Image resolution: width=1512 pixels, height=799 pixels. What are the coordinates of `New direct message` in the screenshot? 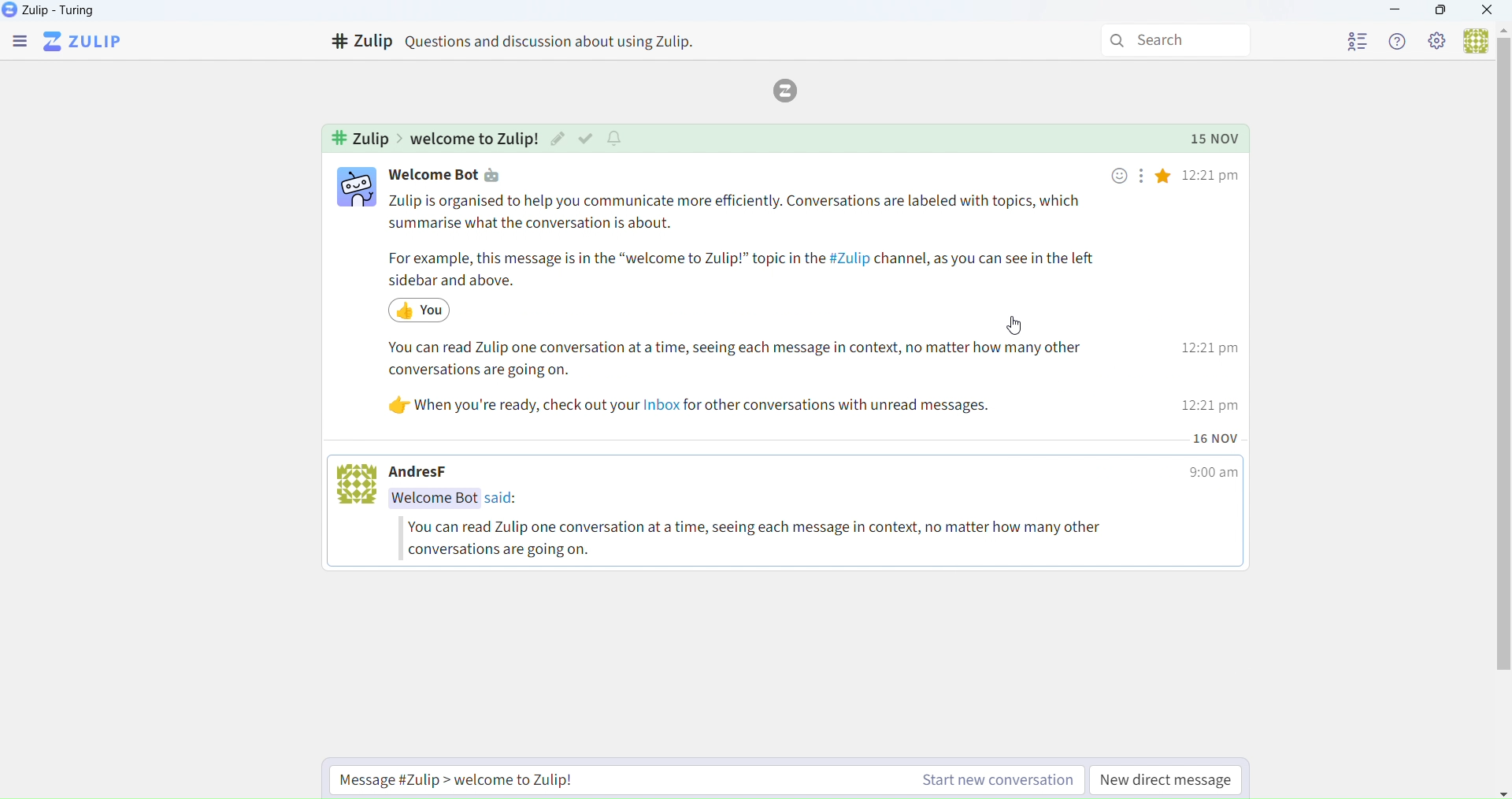 It's located at (1168, 779).